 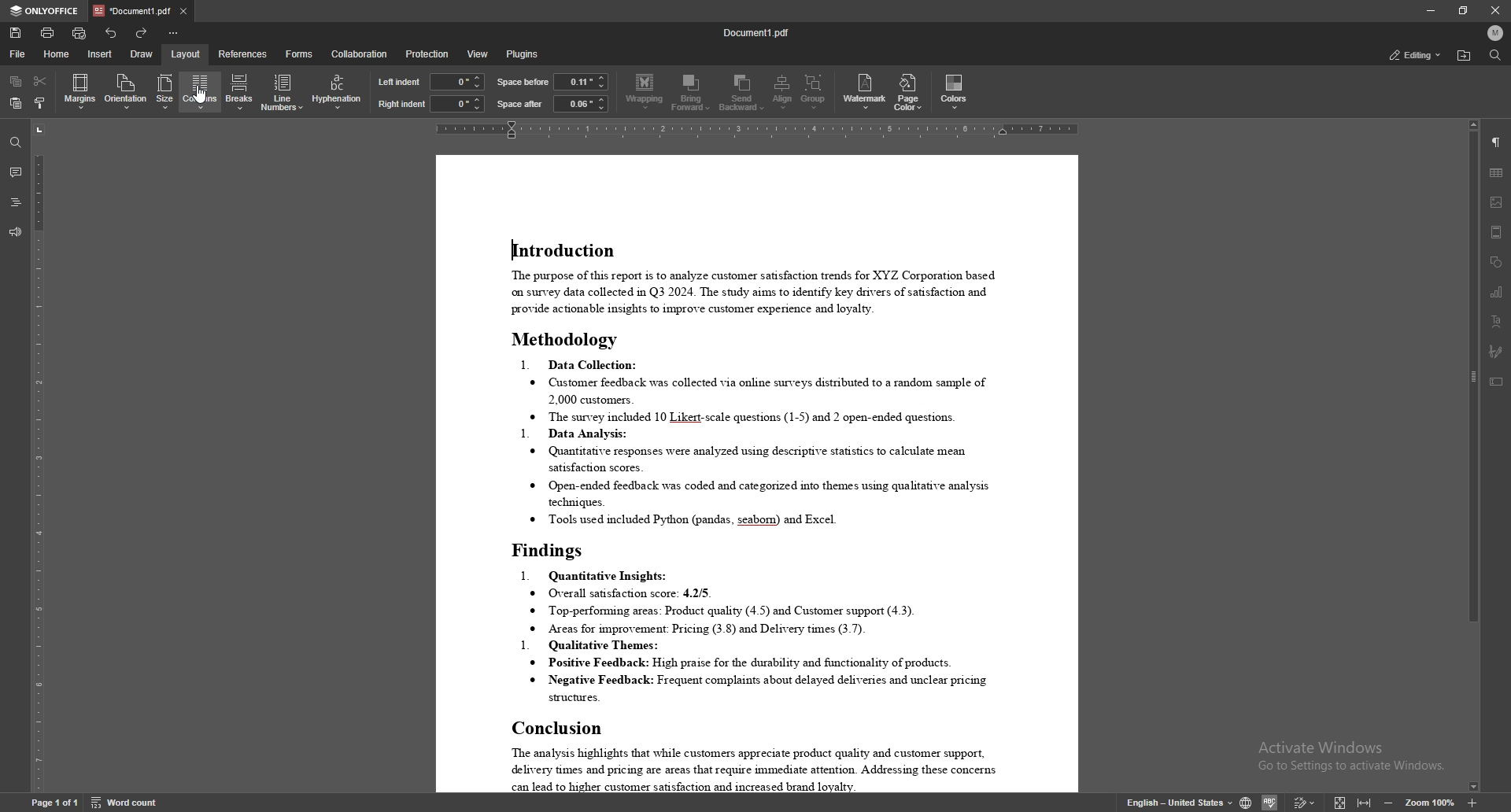 What do you see at coordinates (166, 92) in the screenshot?
I see `size` at bounding box center [166, 92].